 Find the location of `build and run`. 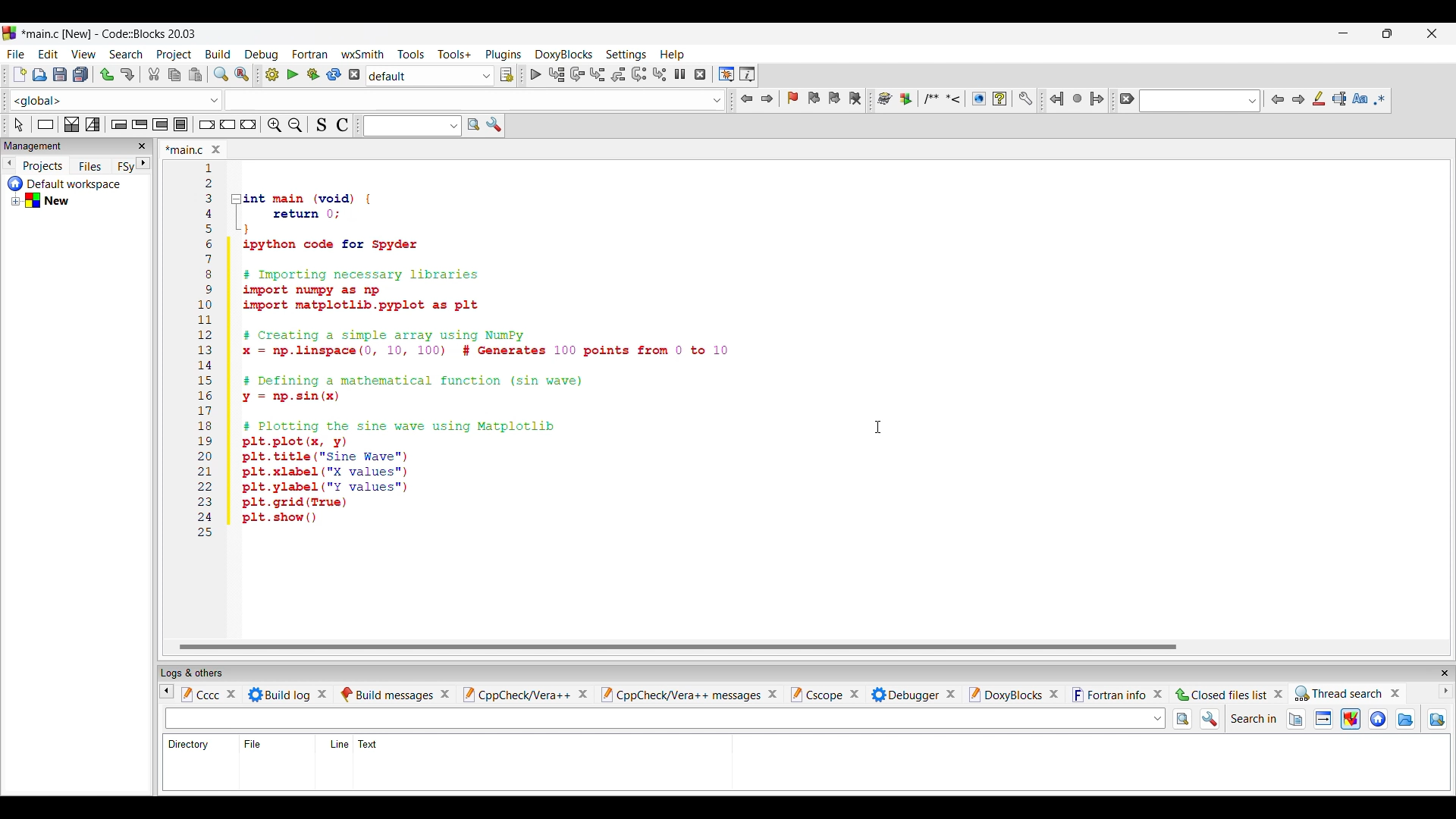

build and run is located at coordinates (312, 76).